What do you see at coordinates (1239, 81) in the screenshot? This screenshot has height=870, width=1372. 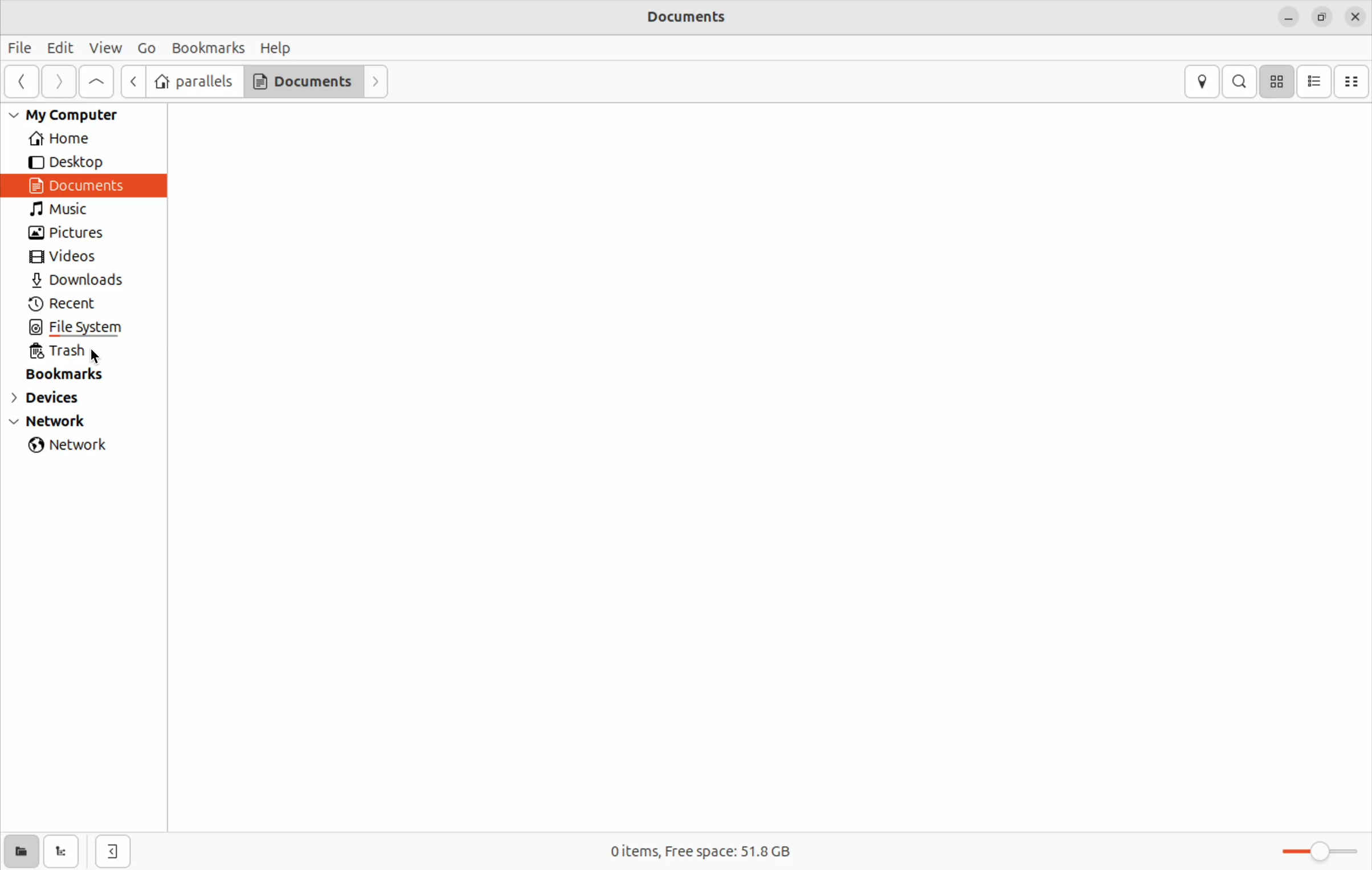 I see `search` at bounding box center [1239, 81].